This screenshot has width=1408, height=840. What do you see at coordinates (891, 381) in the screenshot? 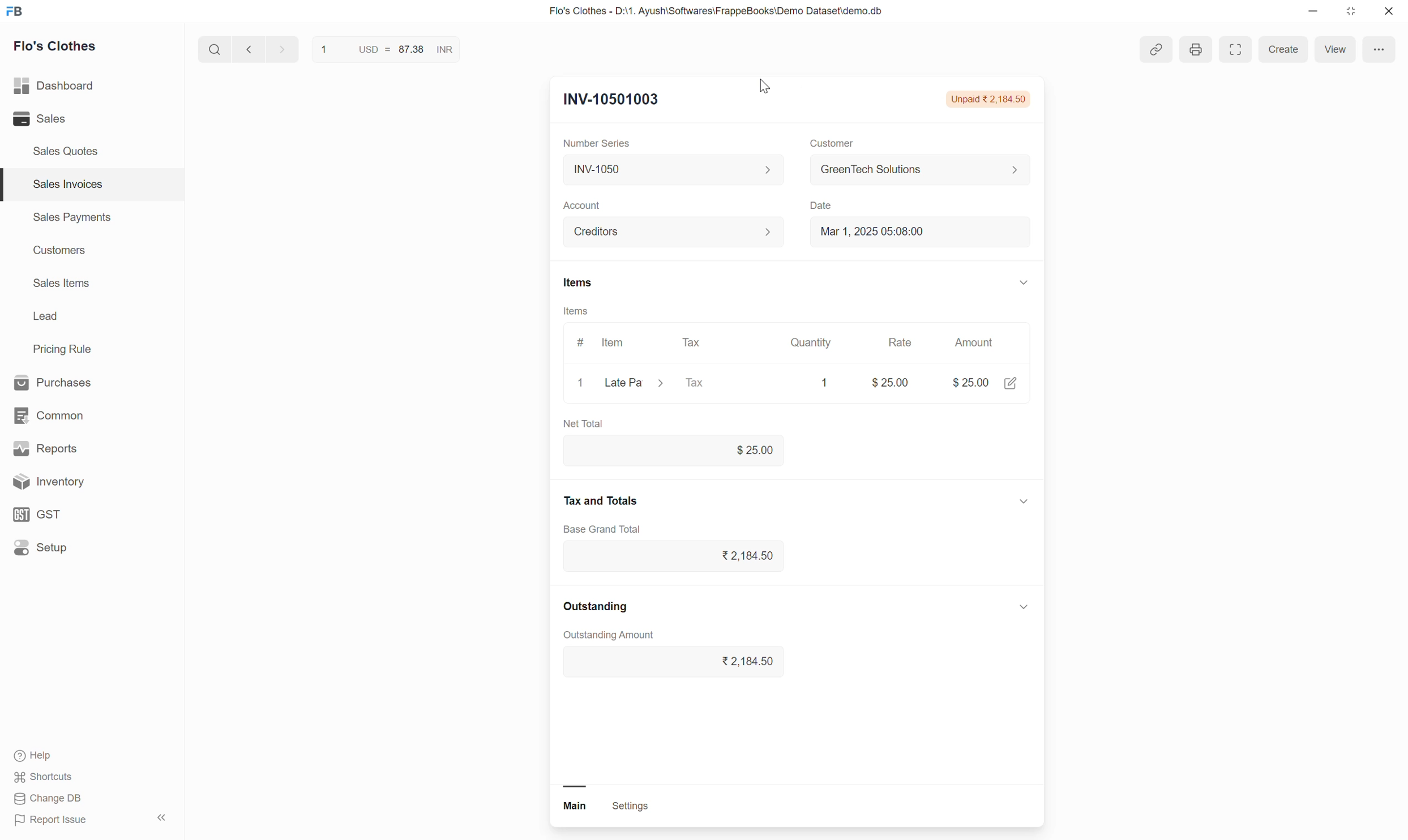
I see `rate ` at bounding box center [891, 381].